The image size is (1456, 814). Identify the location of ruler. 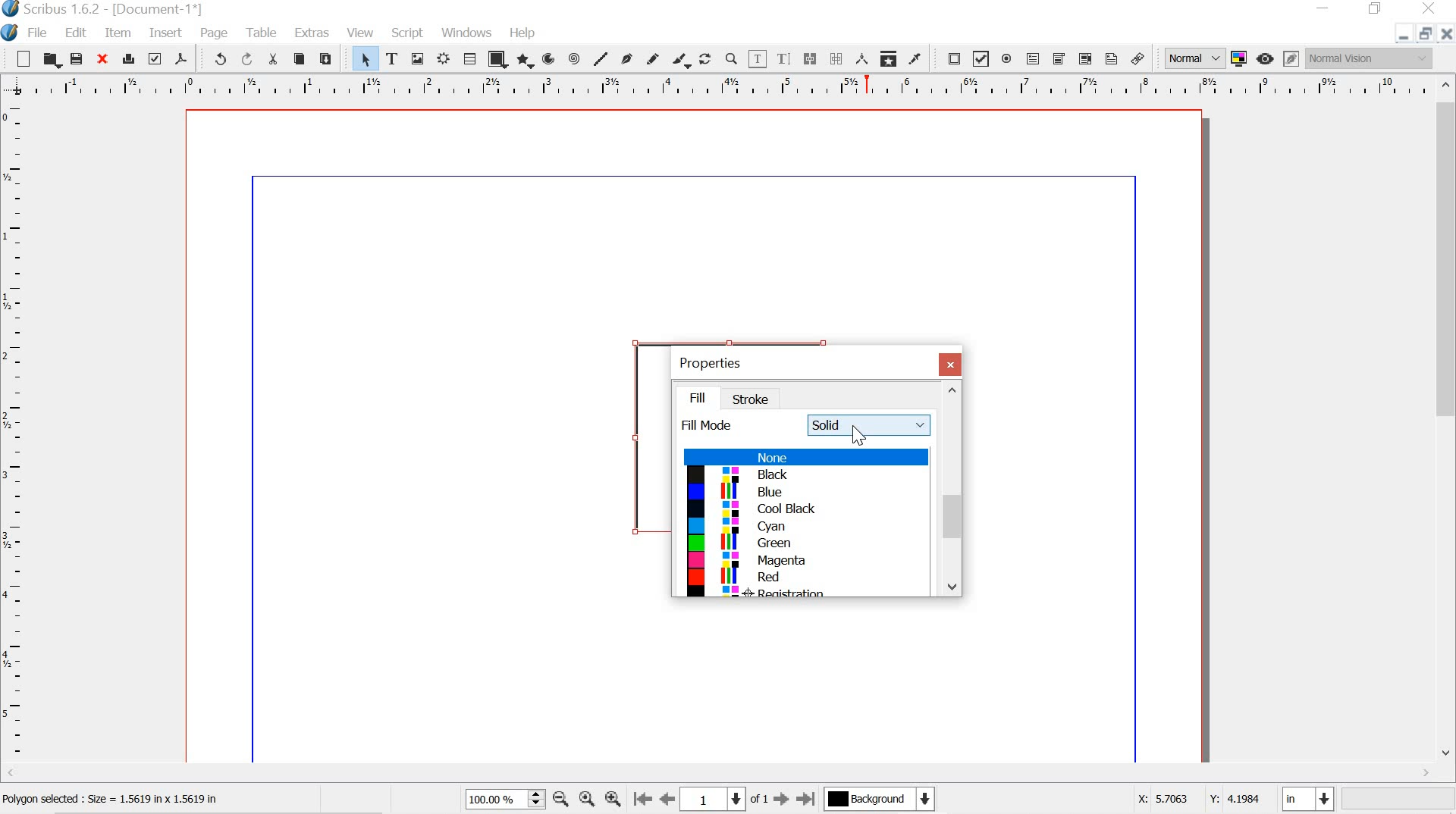
(716, 86).